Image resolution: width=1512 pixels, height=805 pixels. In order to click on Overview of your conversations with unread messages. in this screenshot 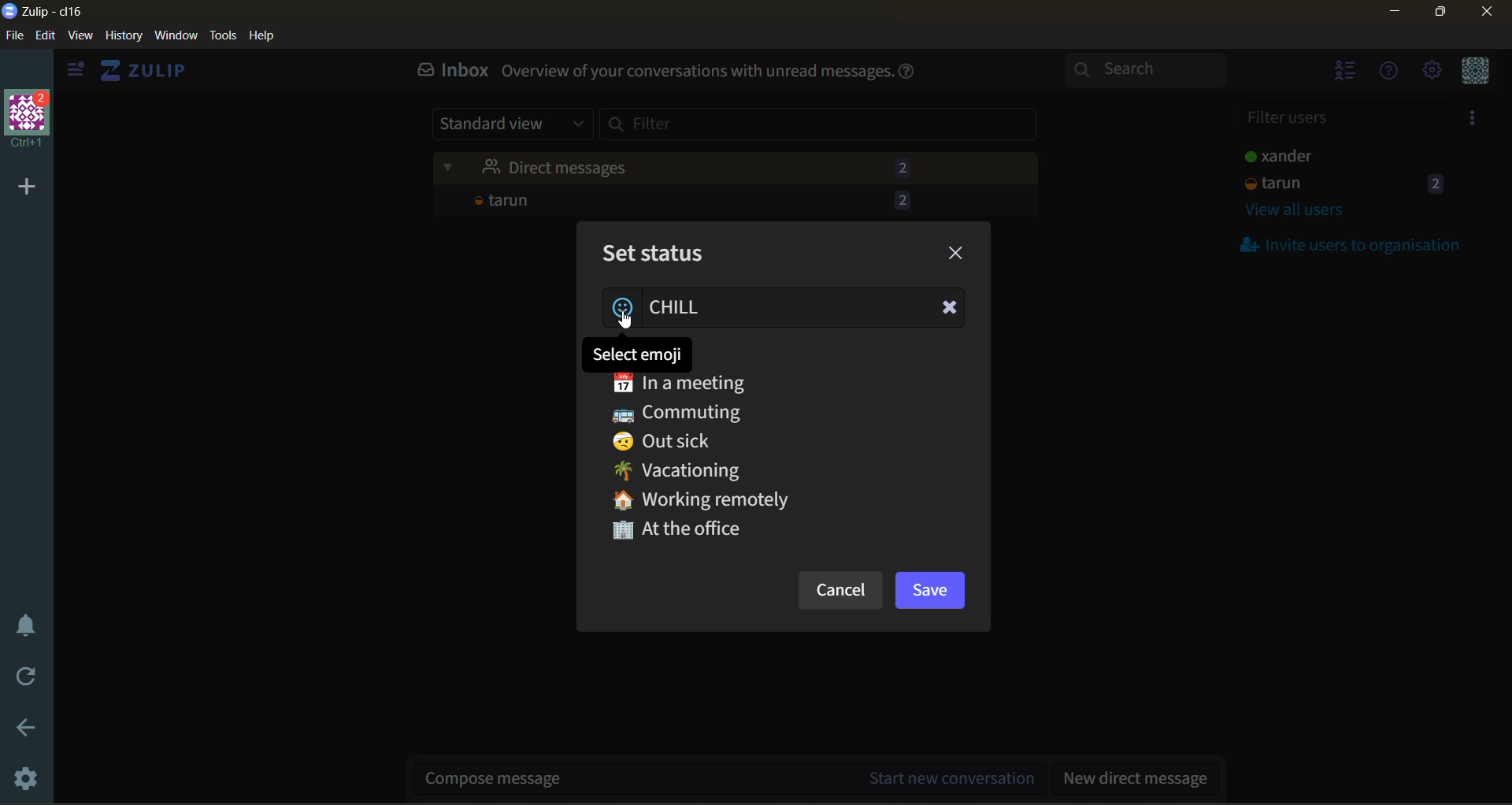, I will do `click(696, 73)`.